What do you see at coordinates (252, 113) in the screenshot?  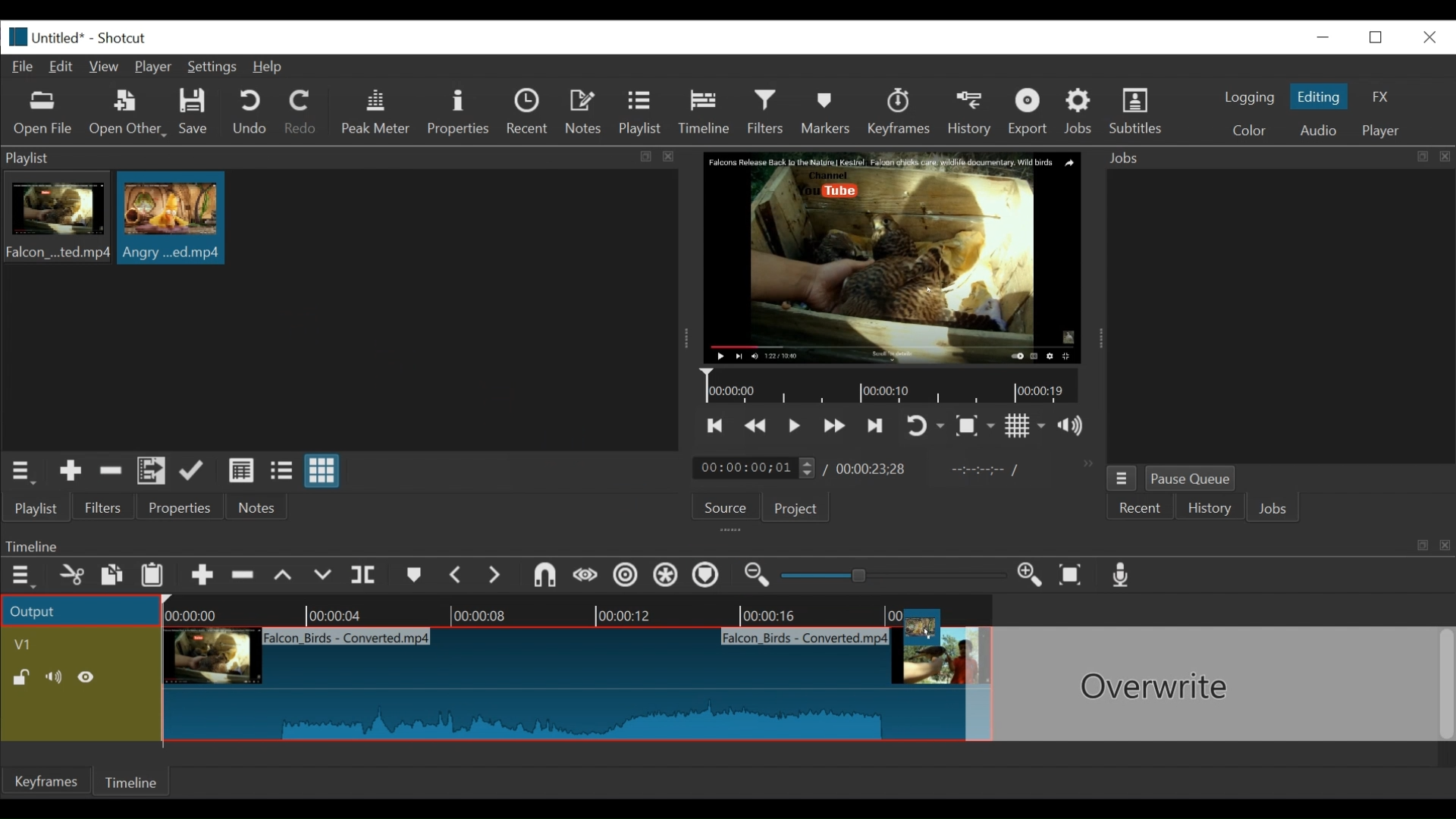 I see `Undo` at bounding box center [252, 113].